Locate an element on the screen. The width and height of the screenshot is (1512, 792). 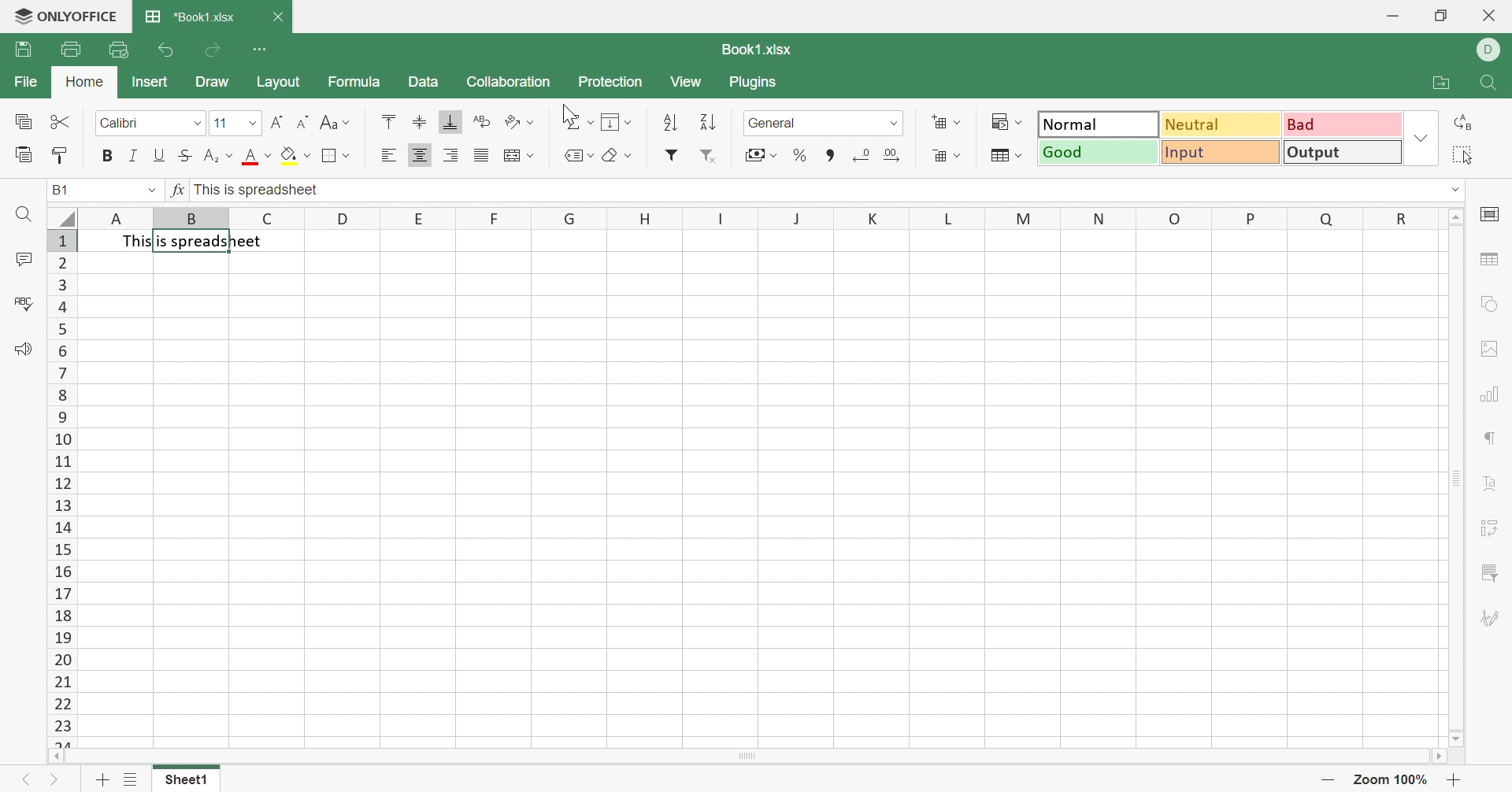
Change case is located at coordinates (328, 121).